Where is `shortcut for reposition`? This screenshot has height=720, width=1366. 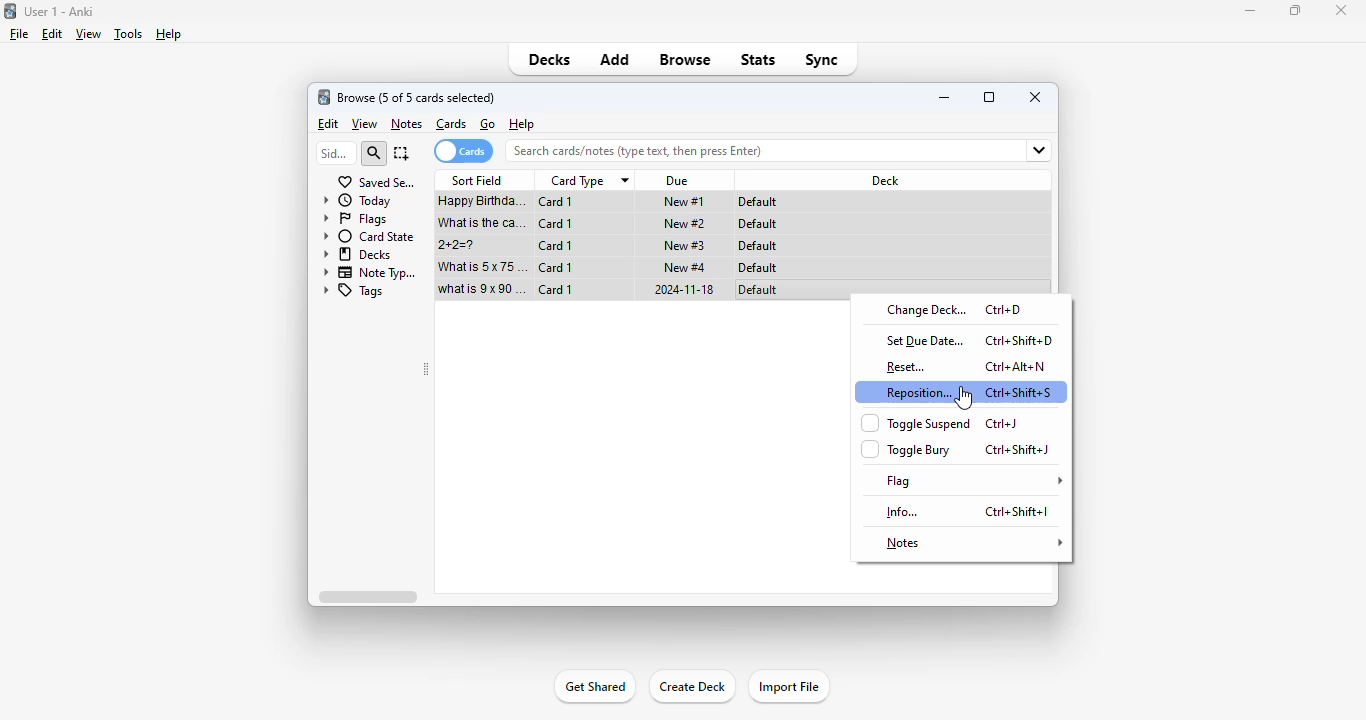 shortcut for reposition is located at coordinates (1019, 393).